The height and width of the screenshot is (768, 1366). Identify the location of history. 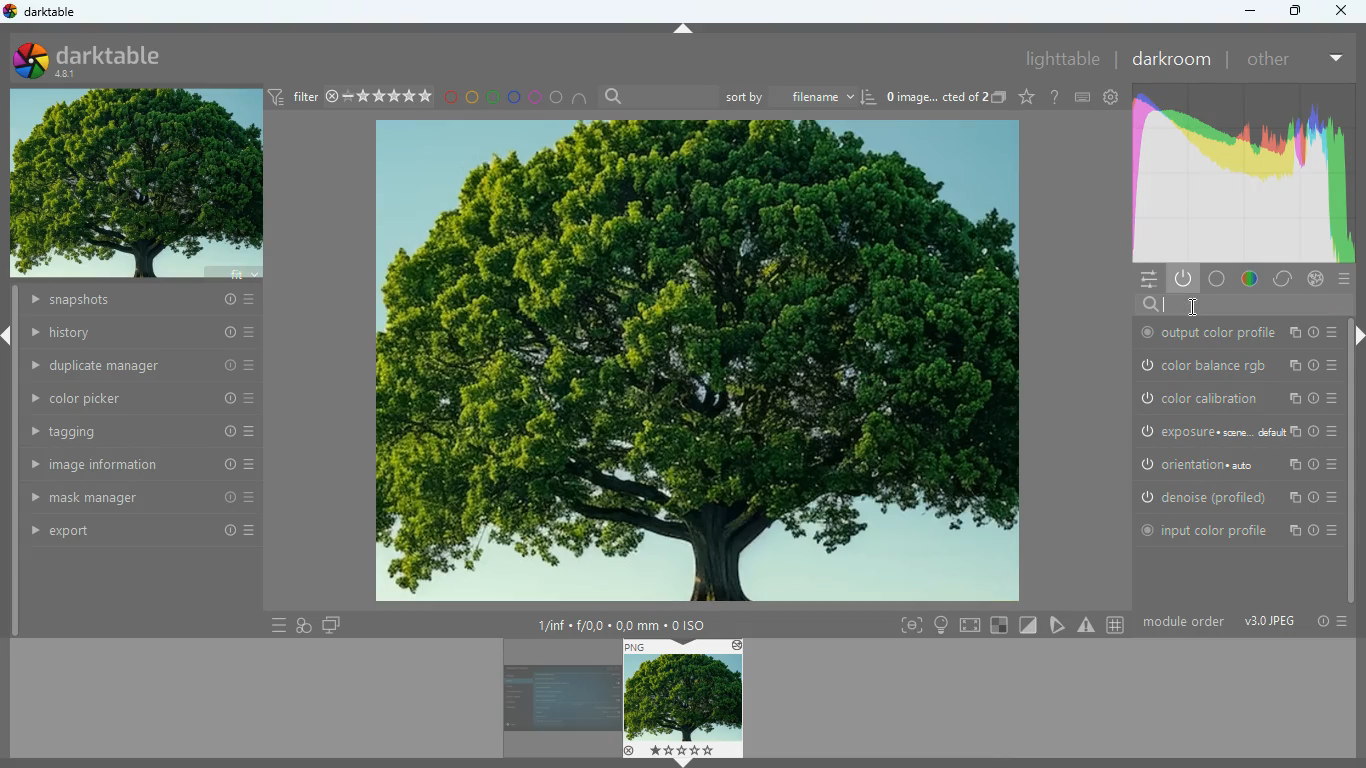
(144, 333).